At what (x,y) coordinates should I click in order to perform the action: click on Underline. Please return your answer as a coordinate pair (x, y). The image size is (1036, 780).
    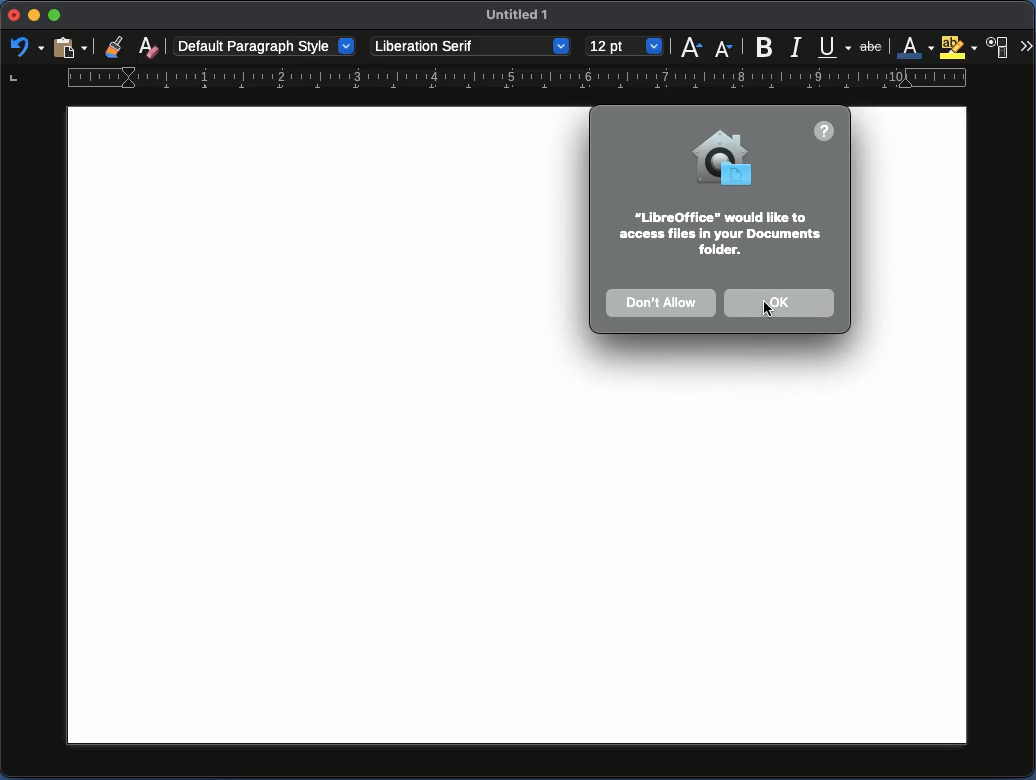
    Looking at the image, I should click on (835, 46).